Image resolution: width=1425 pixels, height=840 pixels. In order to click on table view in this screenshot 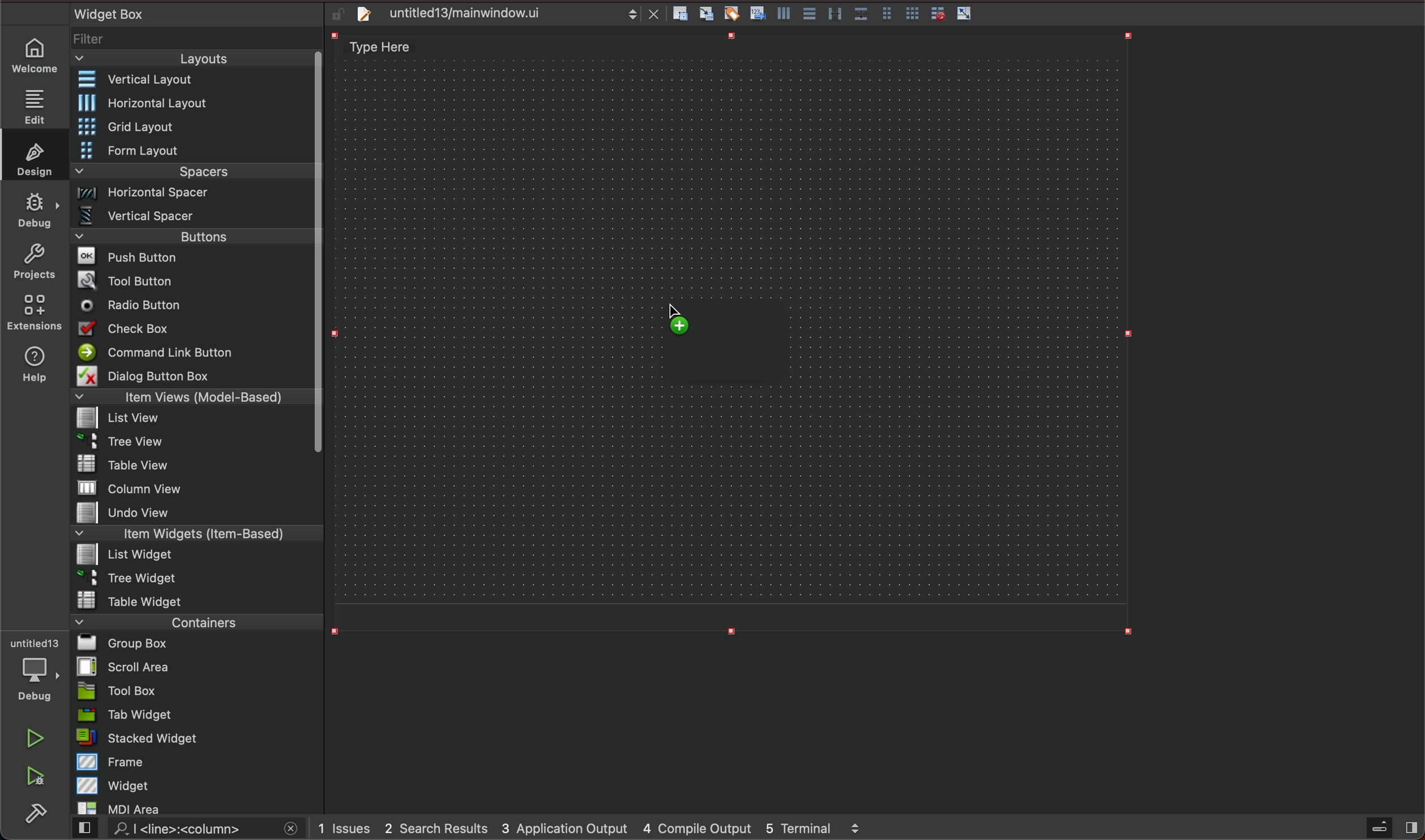, I will do `click(191, 465)`.